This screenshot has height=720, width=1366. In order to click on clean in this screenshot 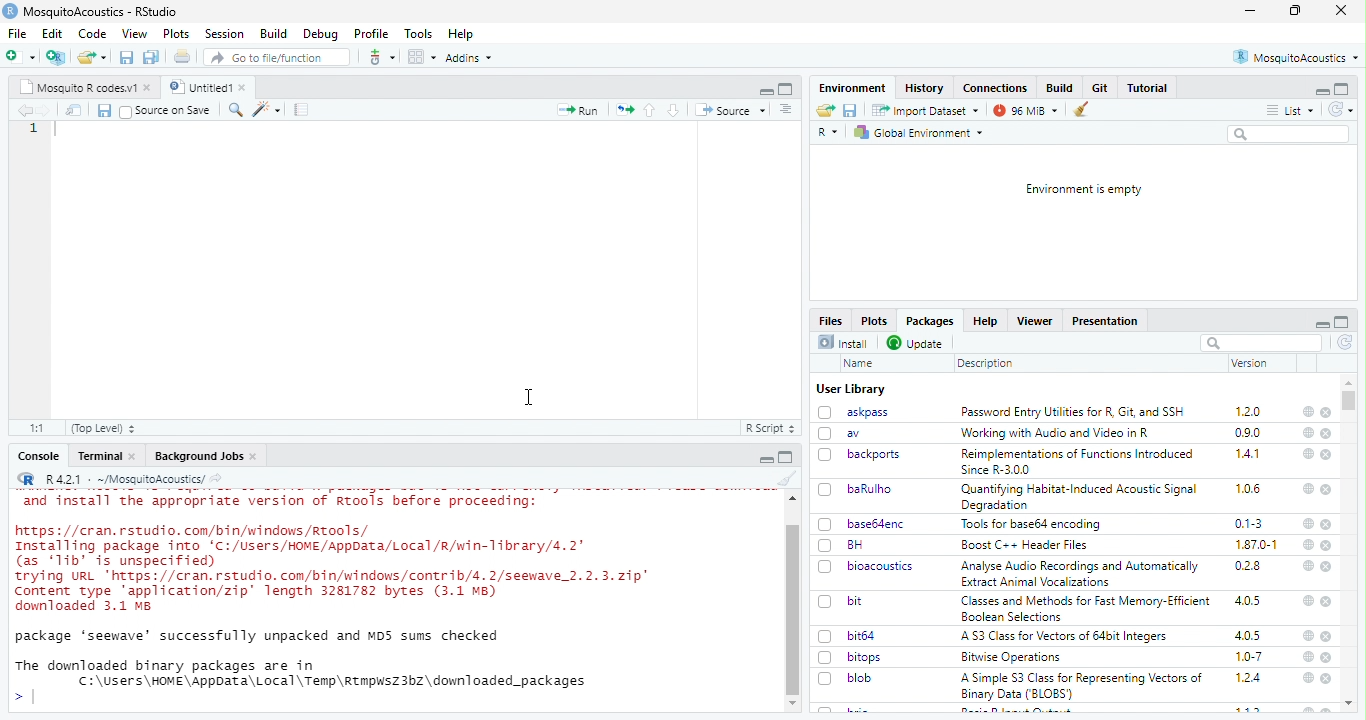, I will do `click(787, 477)`.